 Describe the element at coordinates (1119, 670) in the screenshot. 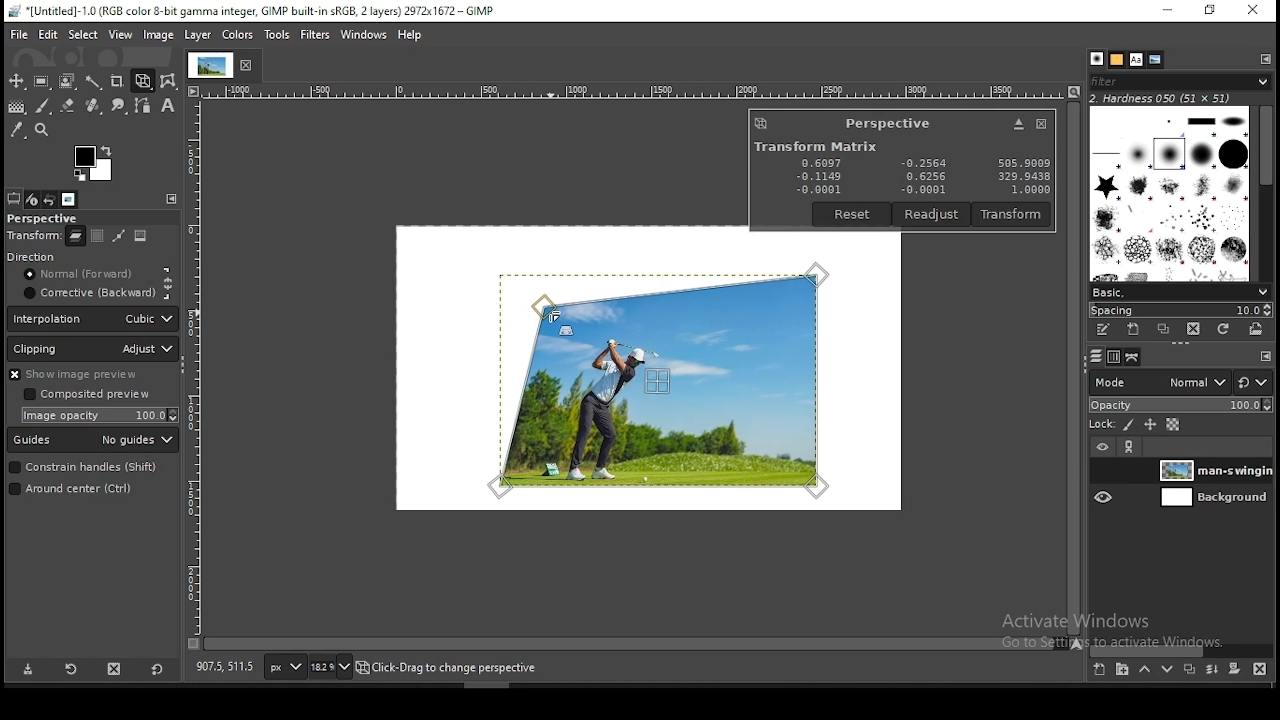

I see `new layer group` at that location.